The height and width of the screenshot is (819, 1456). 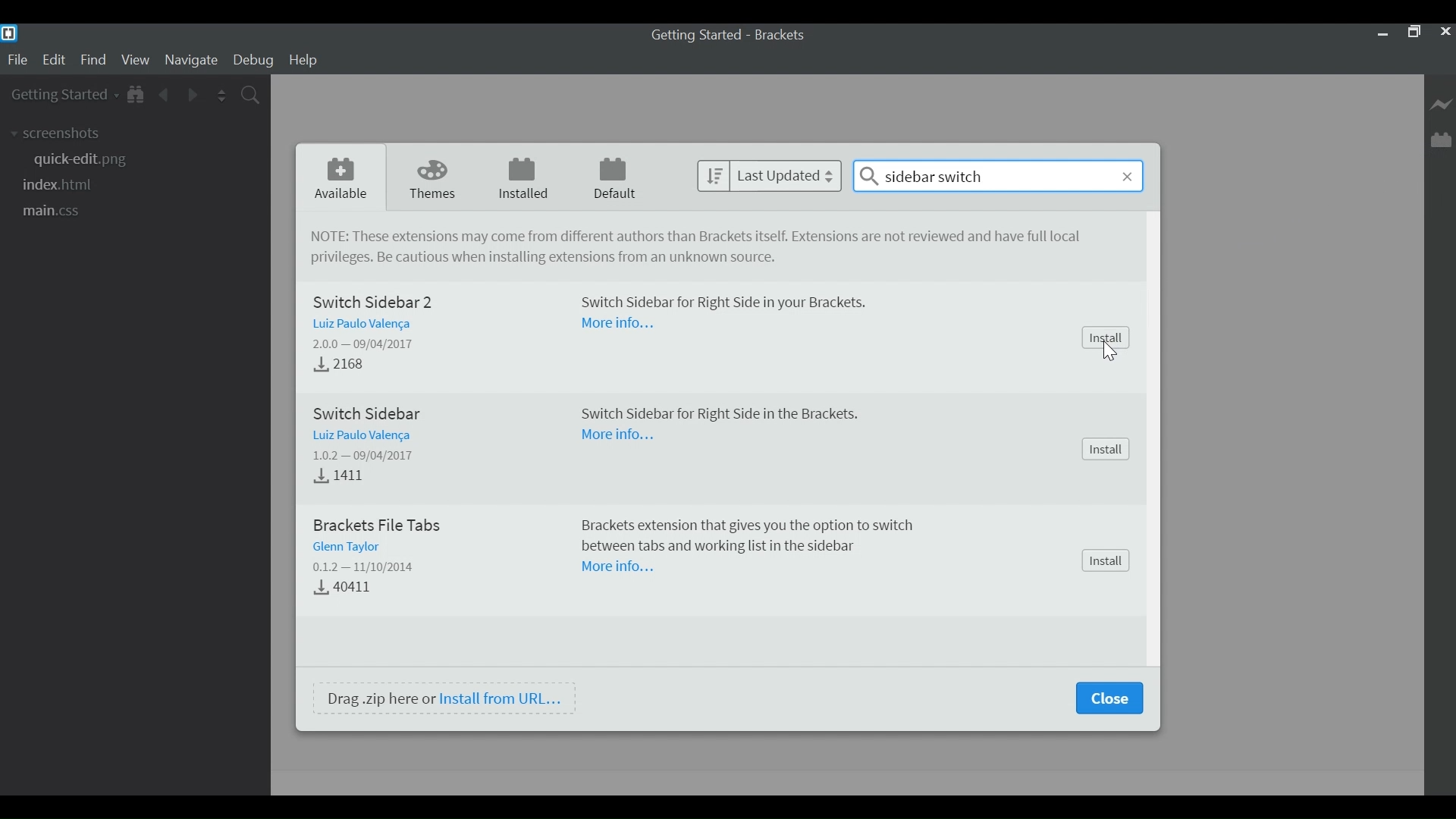 What do you see at coordinates (17, 60) in the screenshot?
I see `File` at bounding box center [17, 60].